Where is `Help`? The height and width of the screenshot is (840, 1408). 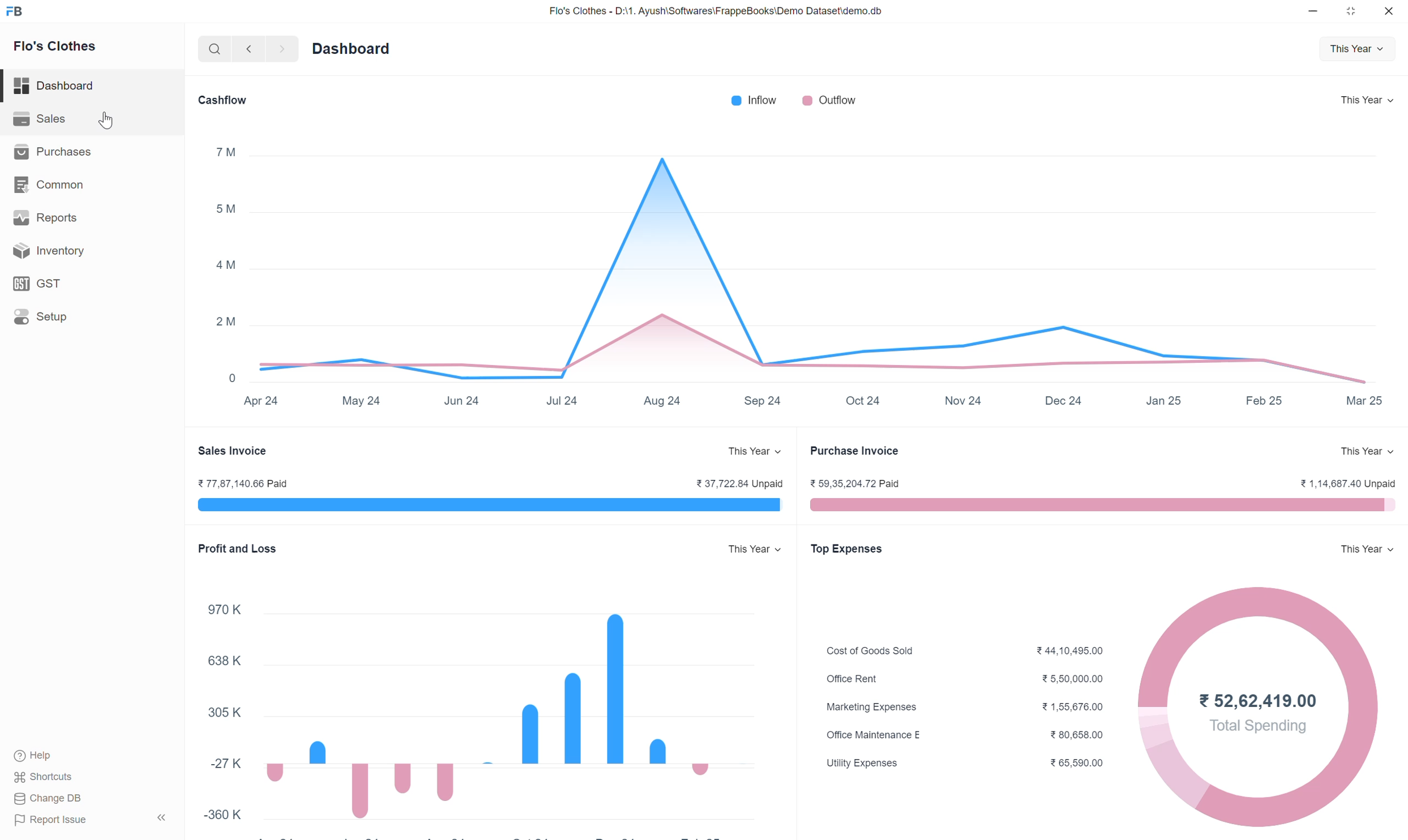
Help is located at coordinates (59, 755).